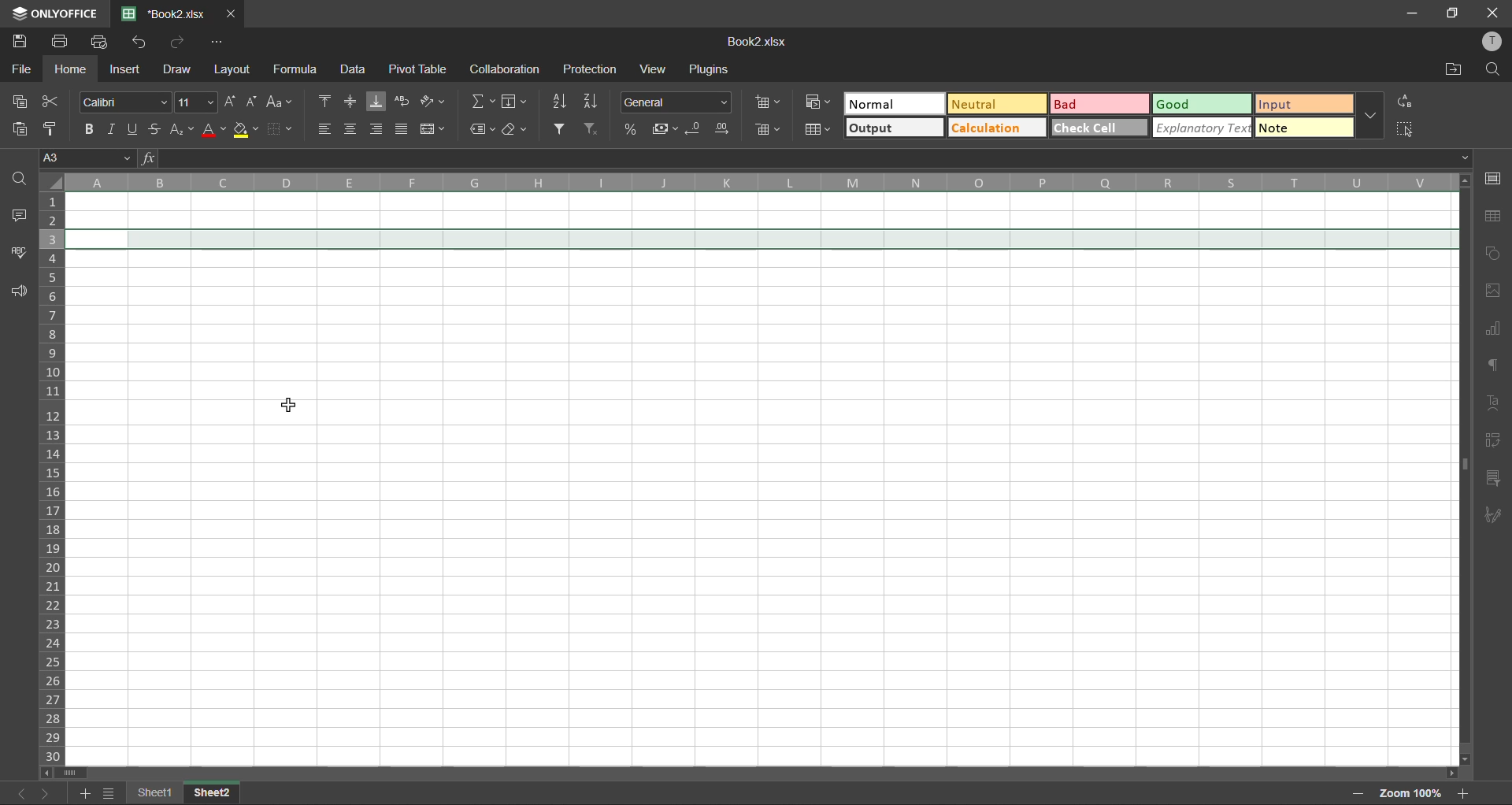  Describe the element at coordinates (50, 792) in the screenshot. I see `next` at that location.